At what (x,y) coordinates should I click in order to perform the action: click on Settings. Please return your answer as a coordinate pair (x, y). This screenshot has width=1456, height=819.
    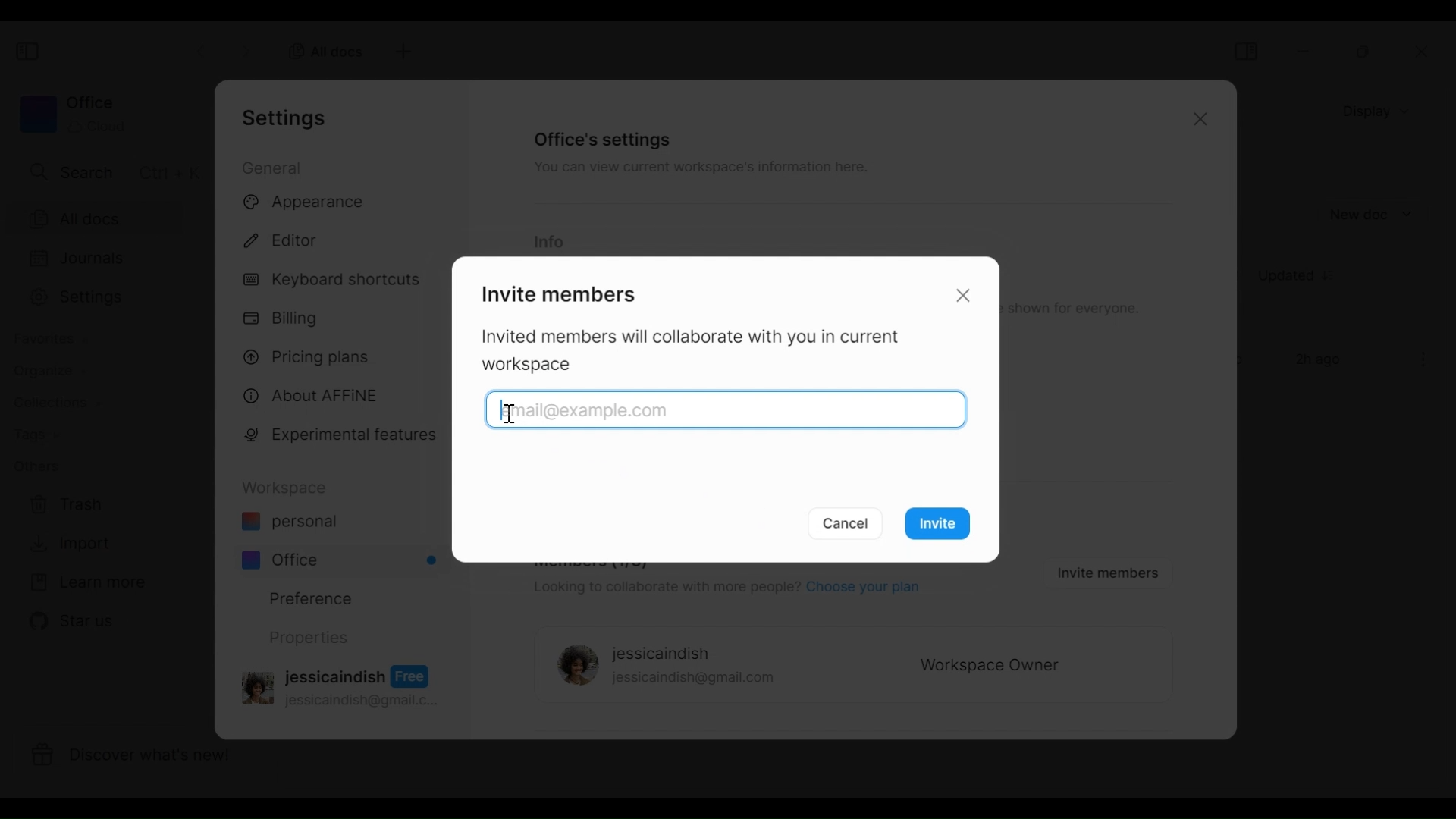
    Looking at the image, I should click on (105, 297).